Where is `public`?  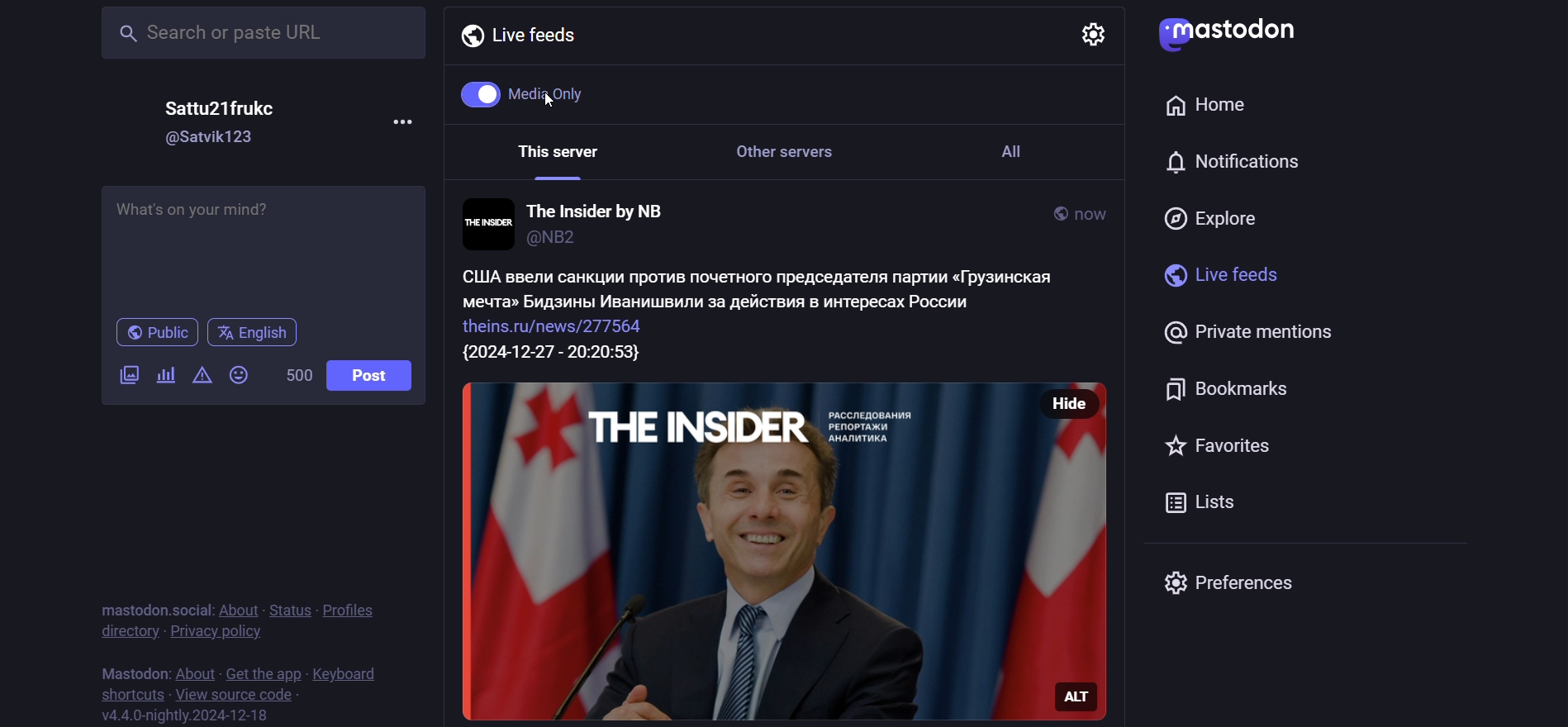
public is located at coordinates (158, 333).